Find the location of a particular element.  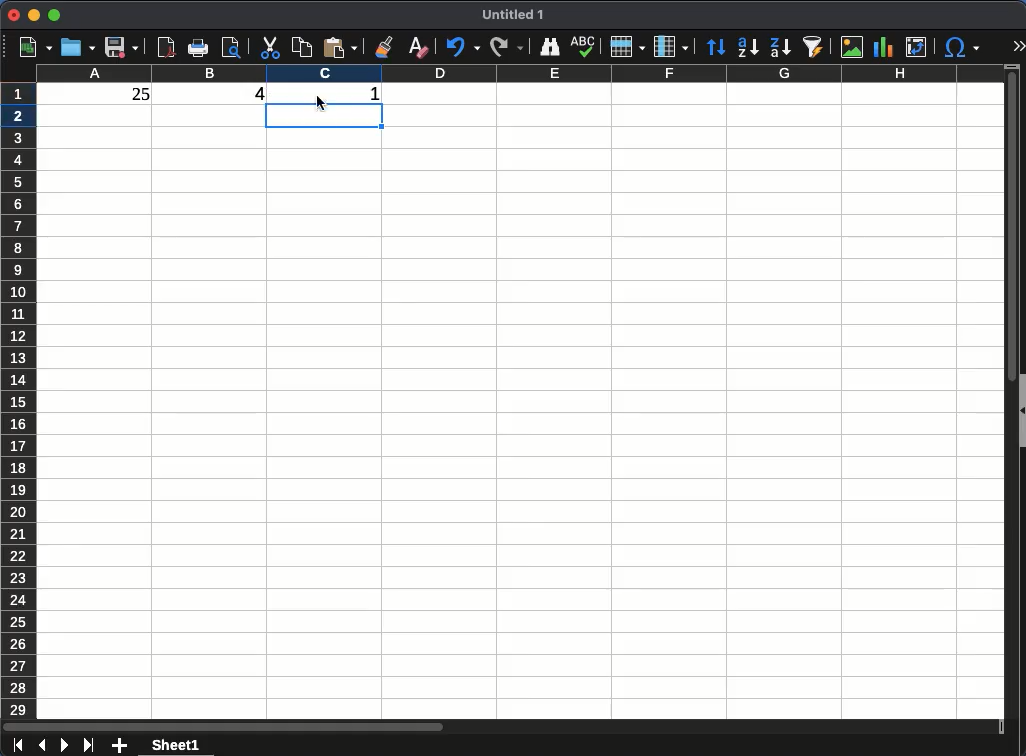

copy is located at coordinates (301, 47).